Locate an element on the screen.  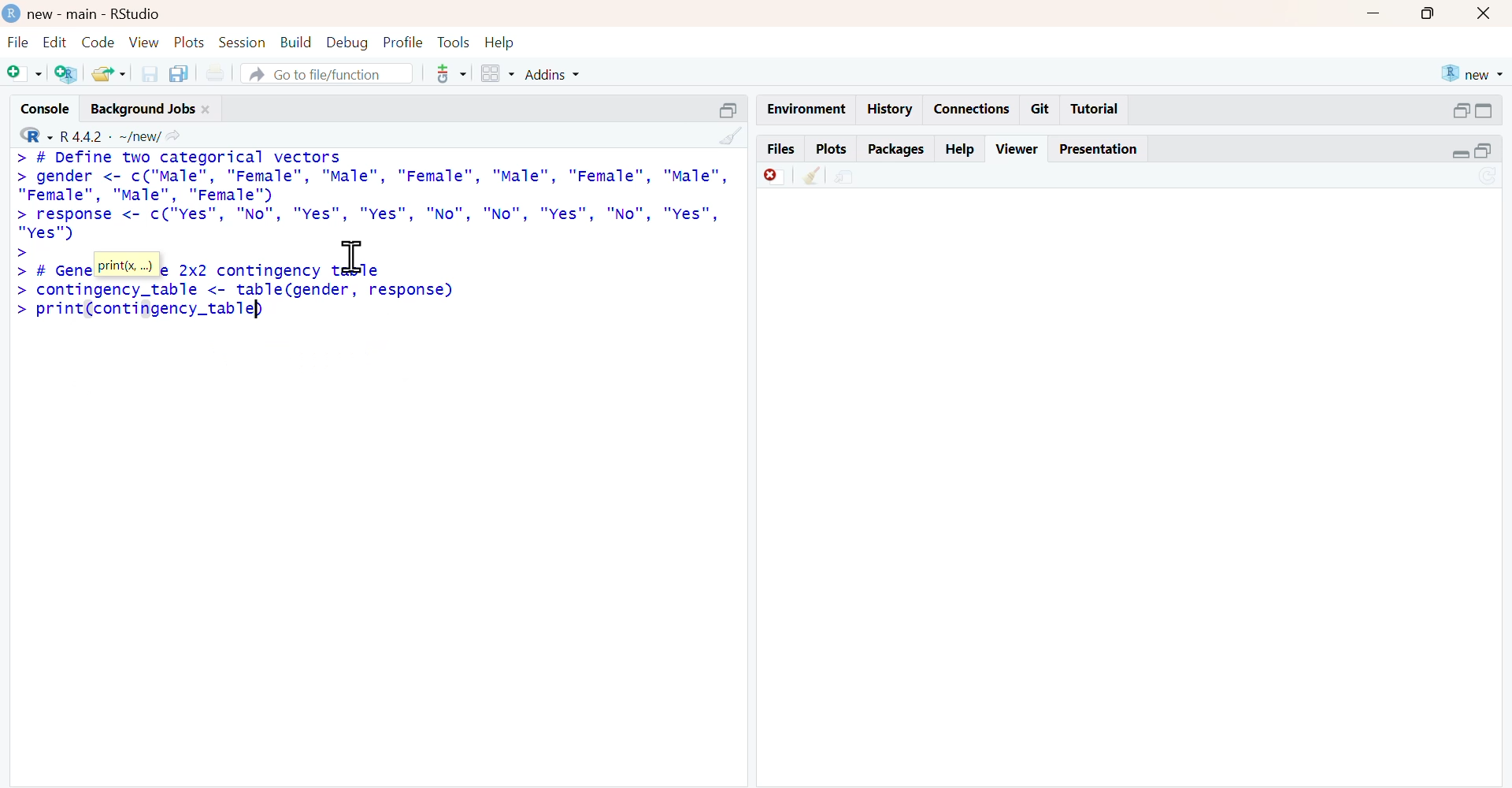
tutorial is located at coordinates (1094, 110).